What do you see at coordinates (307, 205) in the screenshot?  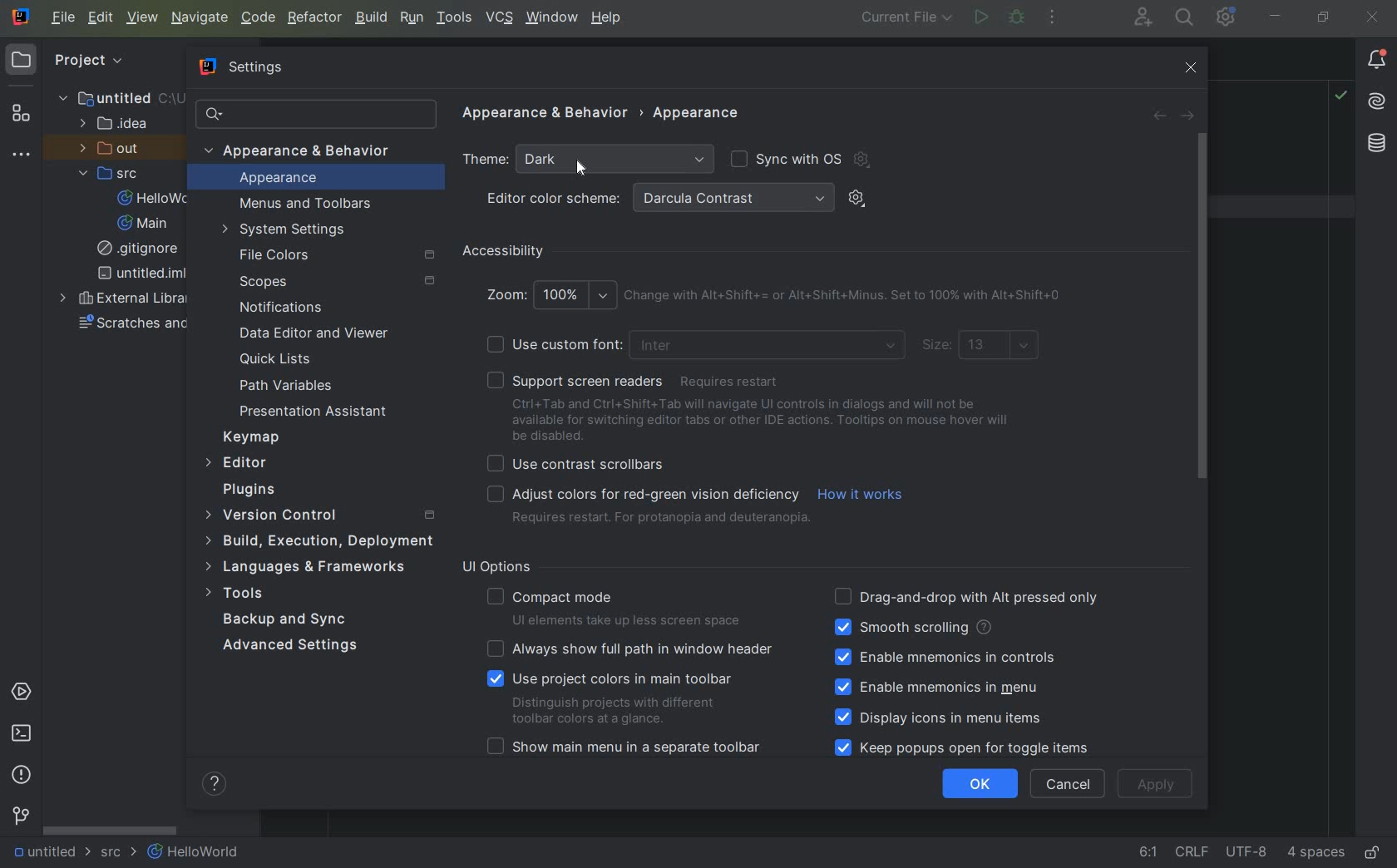 I see `MENUS & TOOLBARS` at bounding box center [307, 205].